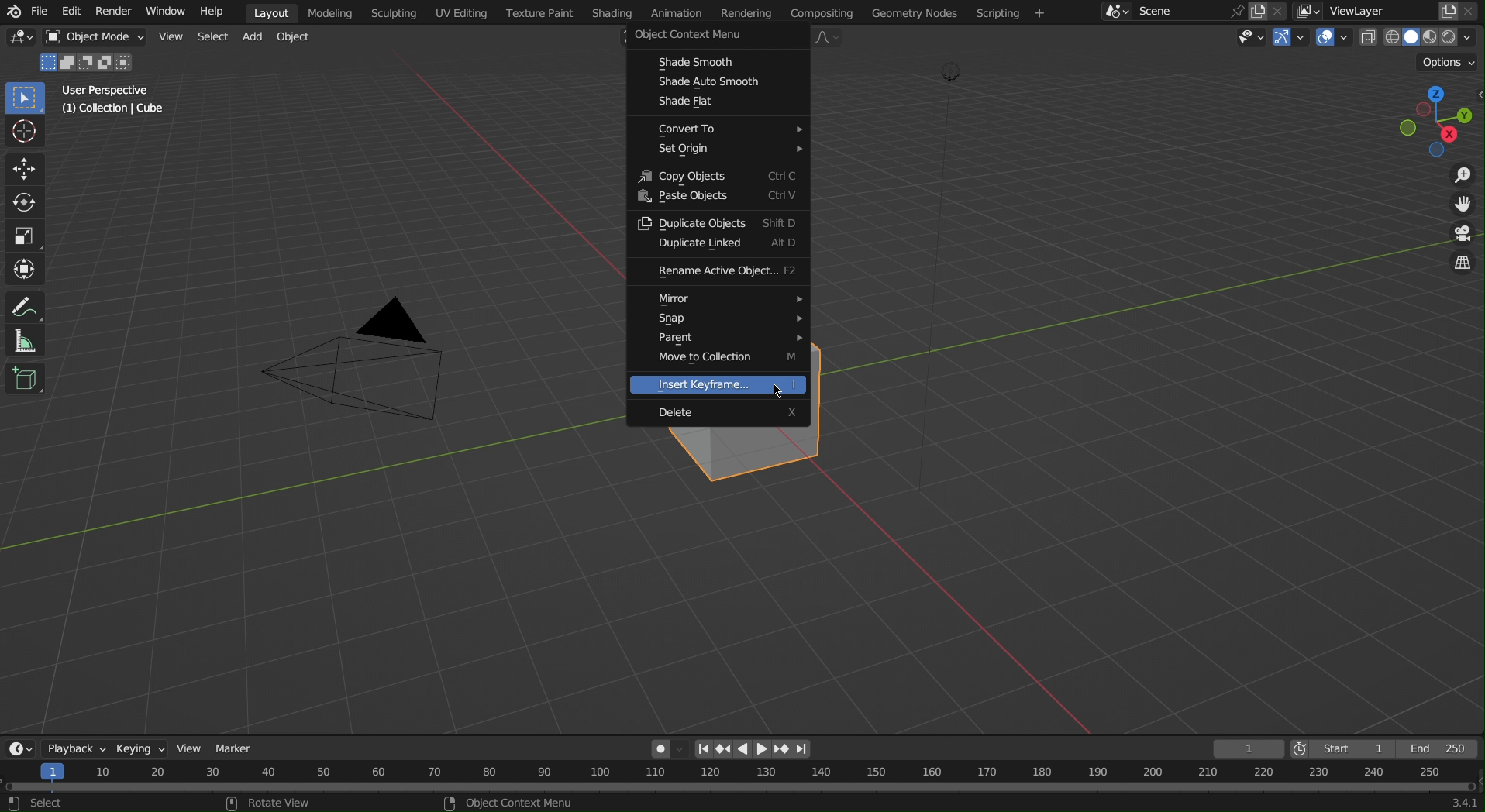  I want to click on Render, so click(115, 12).